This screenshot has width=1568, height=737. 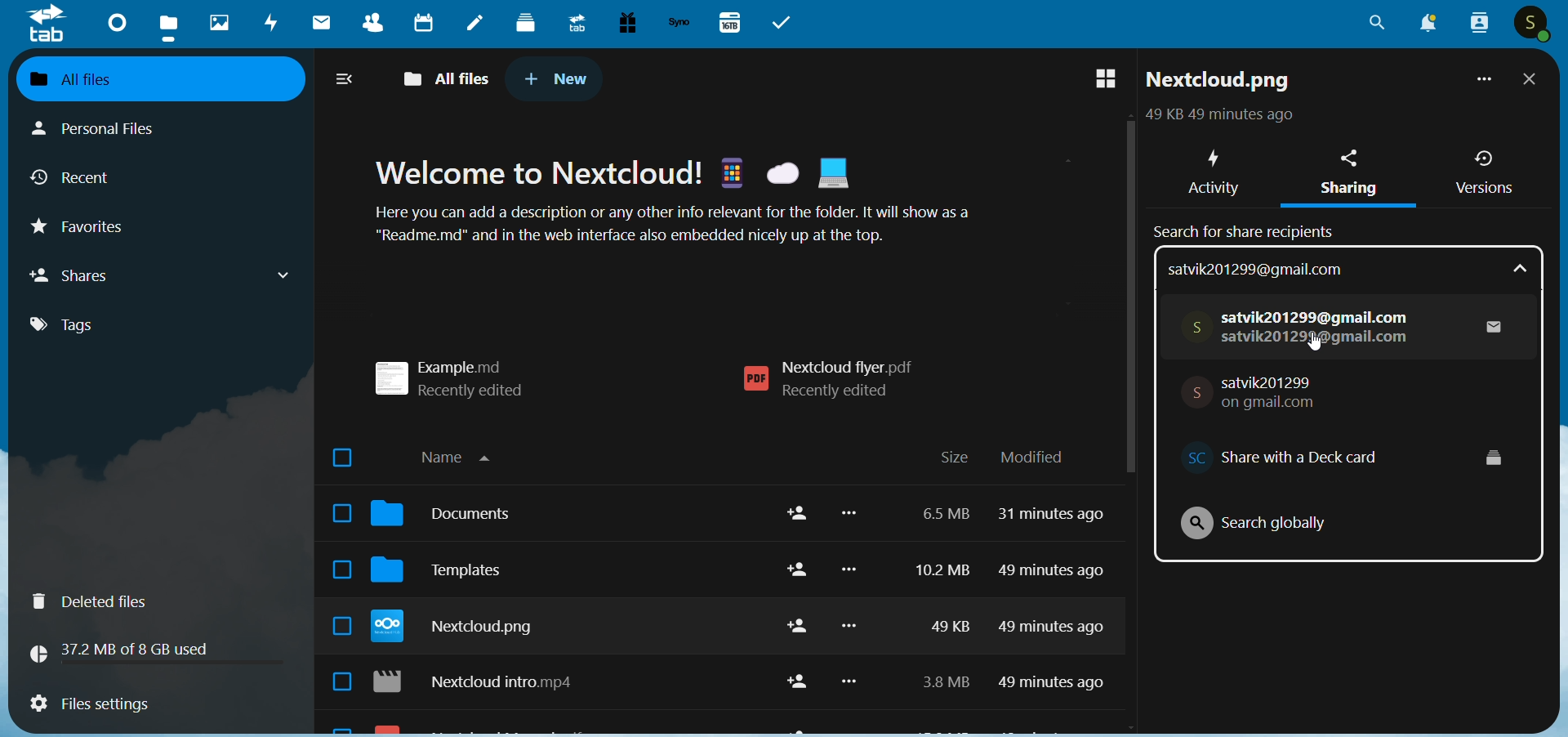 I want to click on templates, so click(x=452, y=575).